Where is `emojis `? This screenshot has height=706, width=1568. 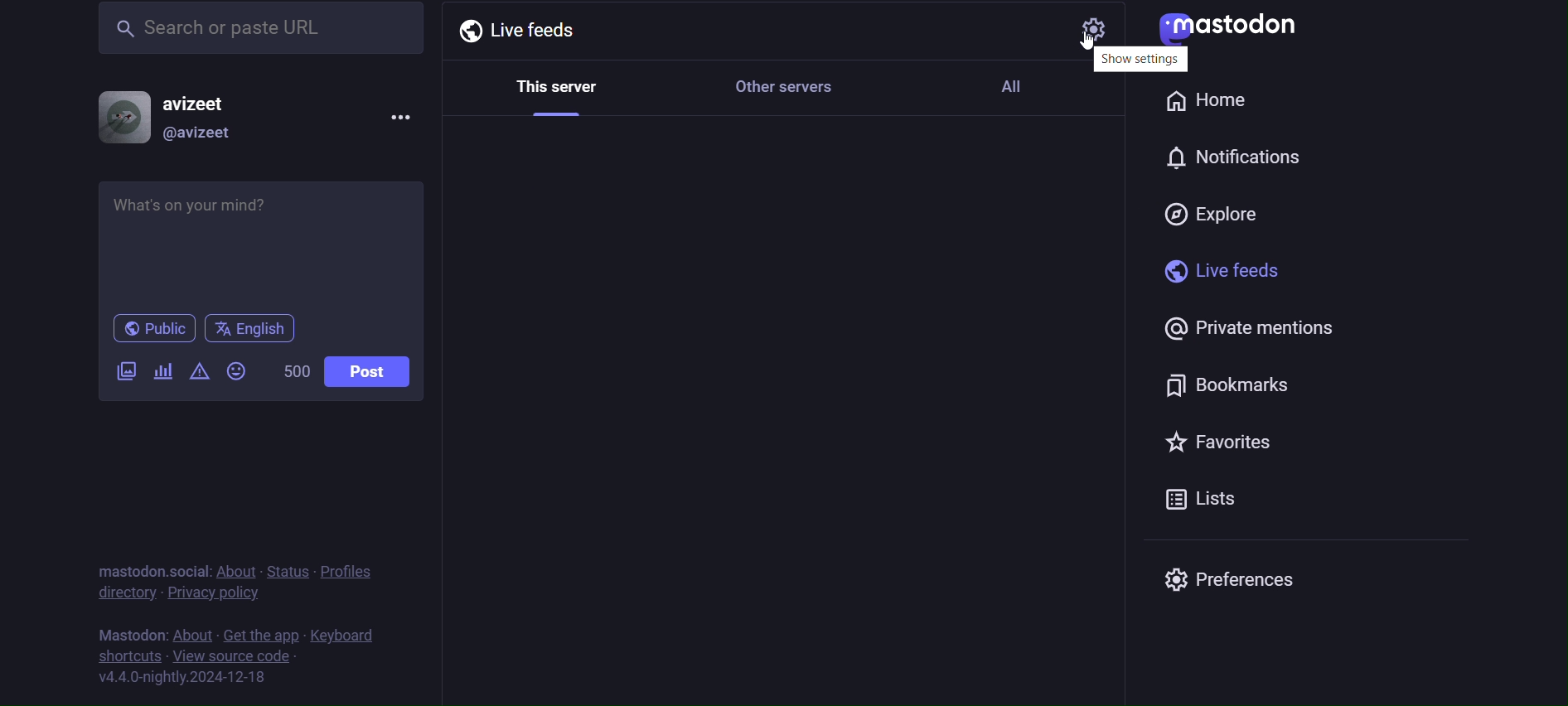
emojis  is located at coordinates (236, 373).